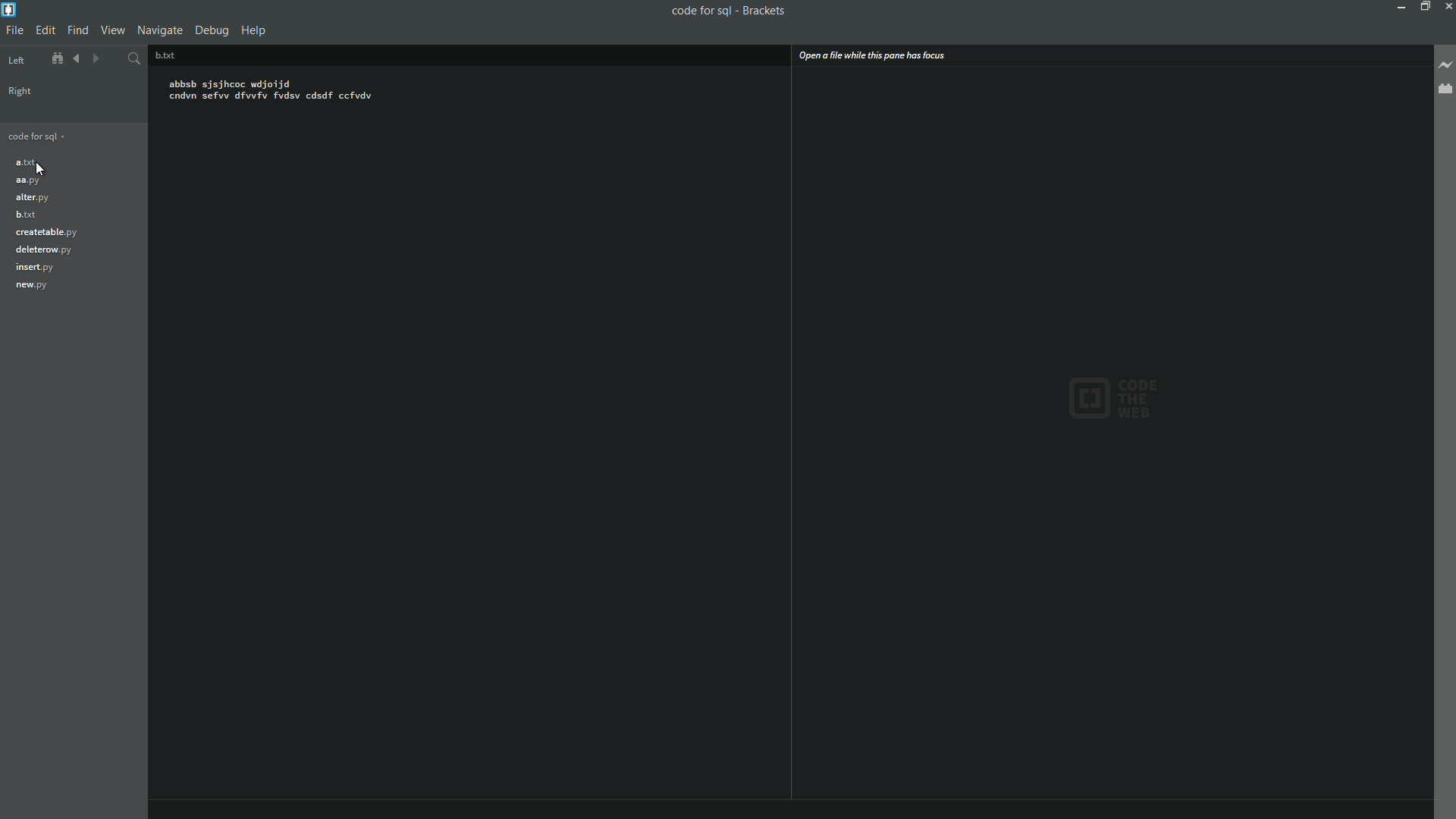  What do you see at coordinates (779, 9) in the screenshot?
I see `App name` at bounding box center [779, 9].